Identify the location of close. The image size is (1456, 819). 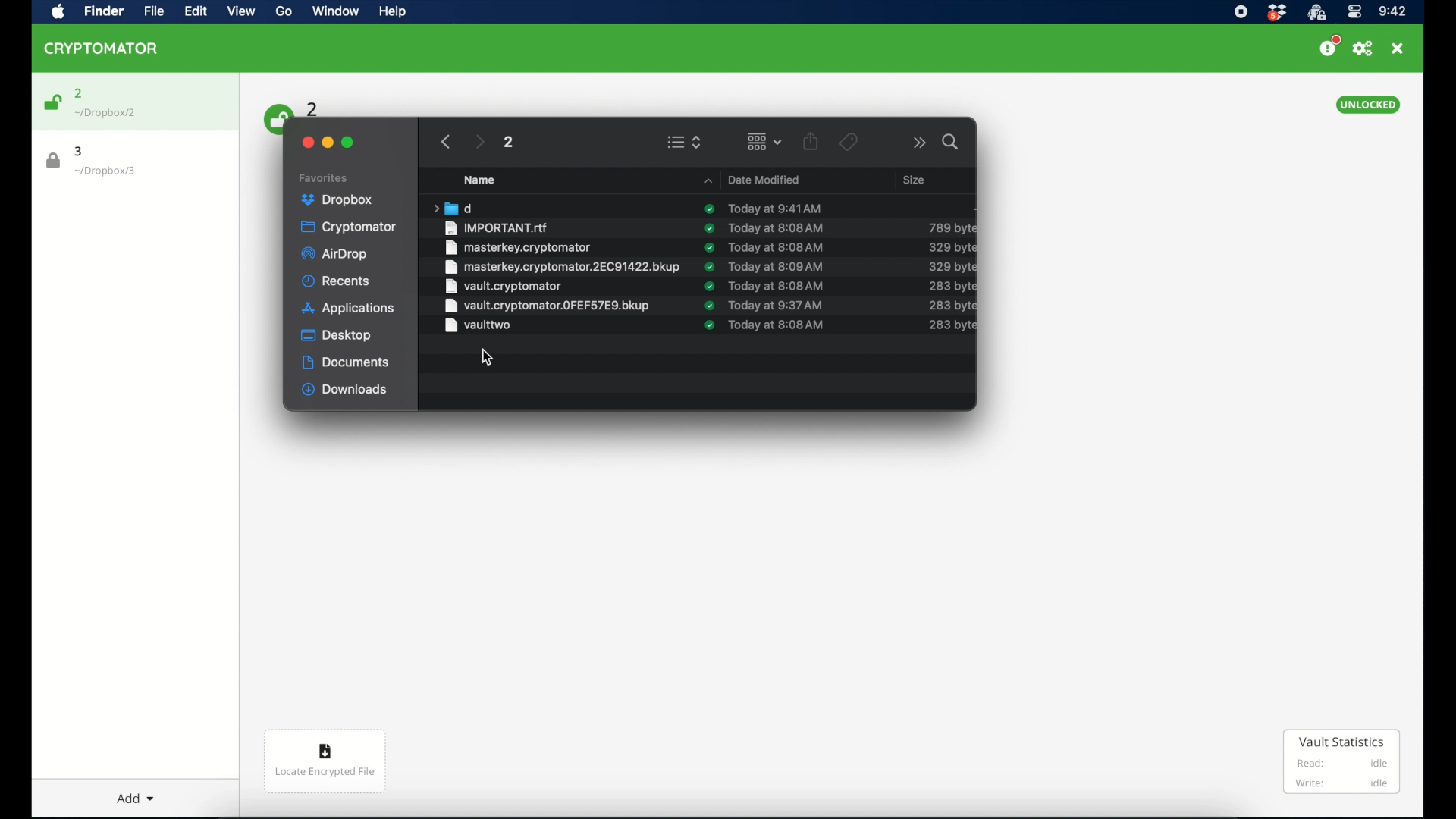
(1398, 49).